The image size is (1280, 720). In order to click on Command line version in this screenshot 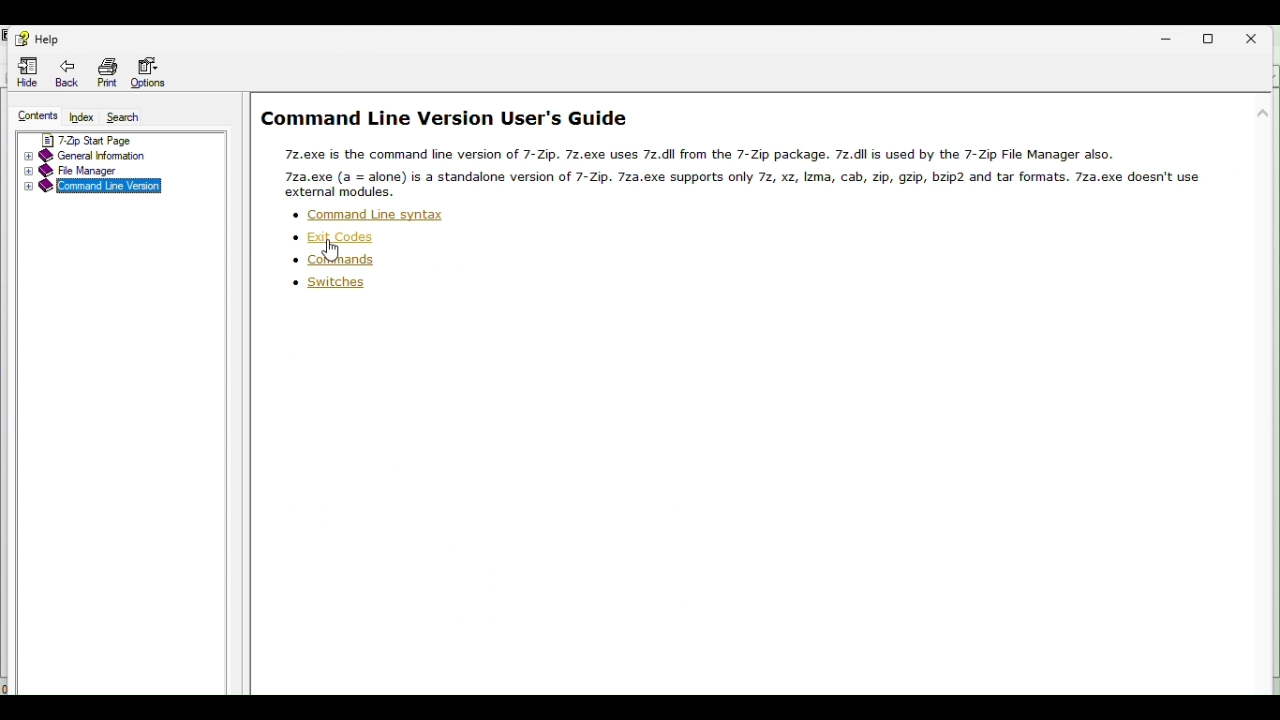, I will do `click(98, 188)`.